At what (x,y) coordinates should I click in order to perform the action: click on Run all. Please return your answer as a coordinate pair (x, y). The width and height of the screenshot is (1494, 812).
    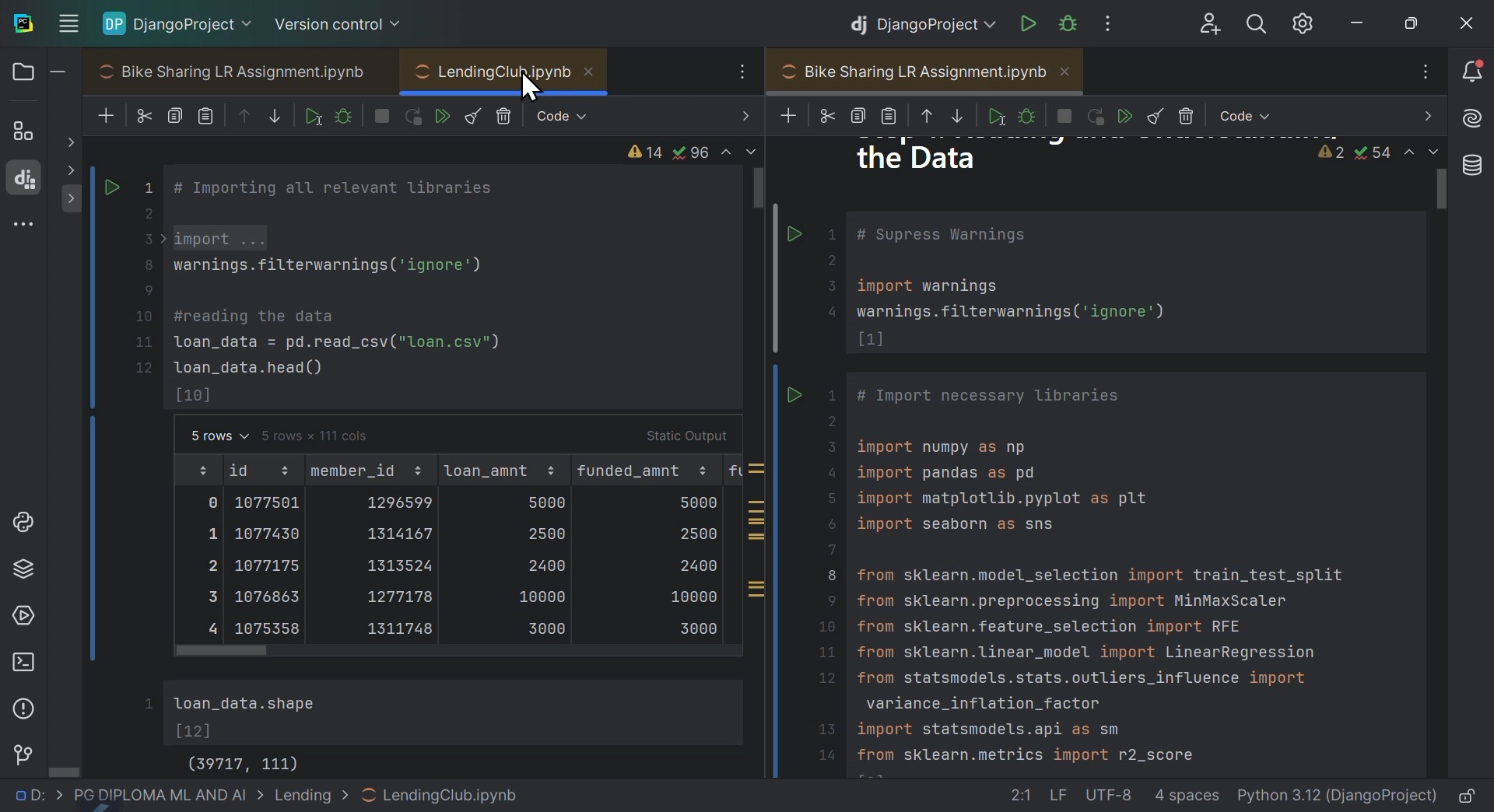
    Looking at the image, I should click on (447, 113).